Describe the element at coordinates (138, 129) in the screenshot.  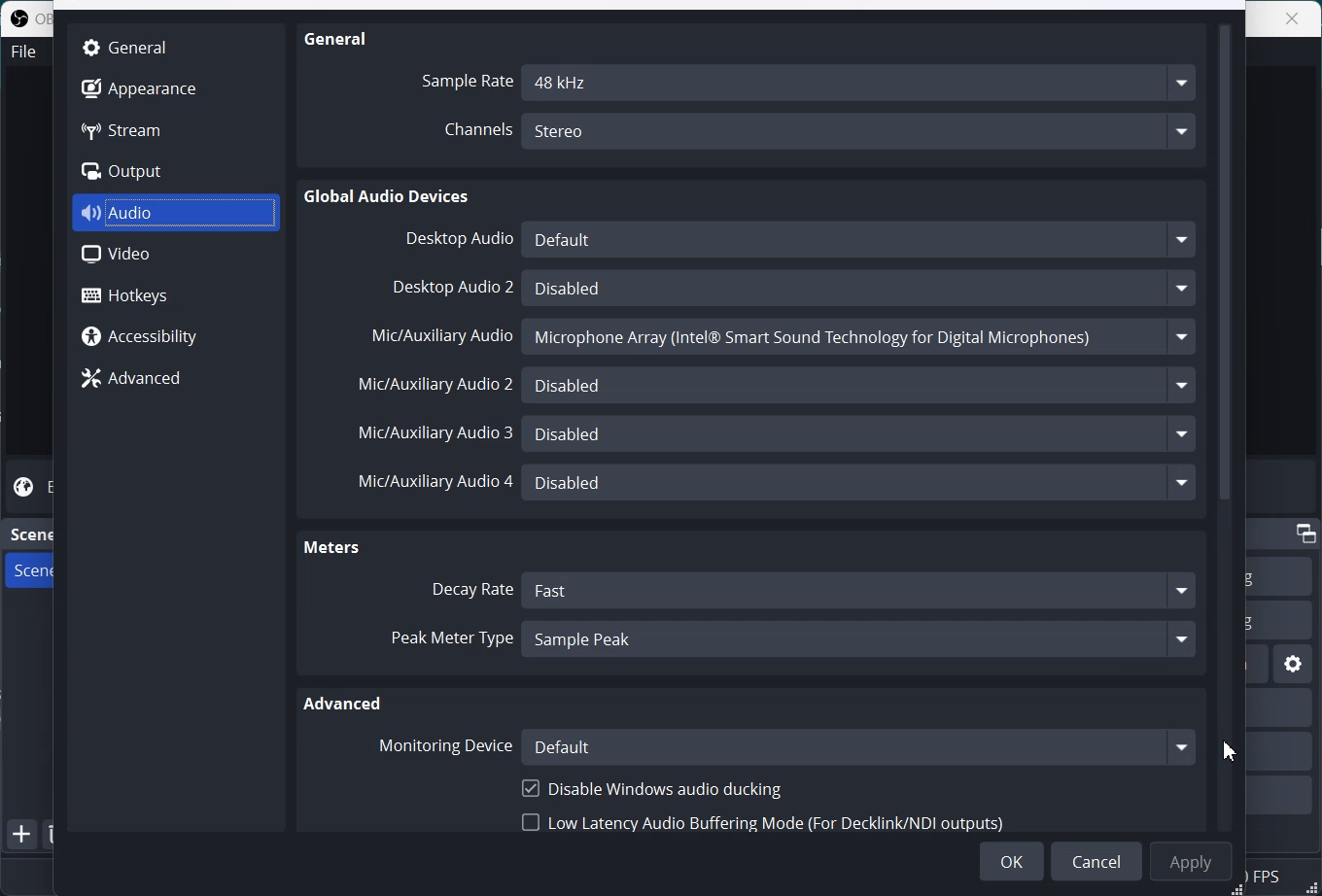
I see `Stream` at that location.